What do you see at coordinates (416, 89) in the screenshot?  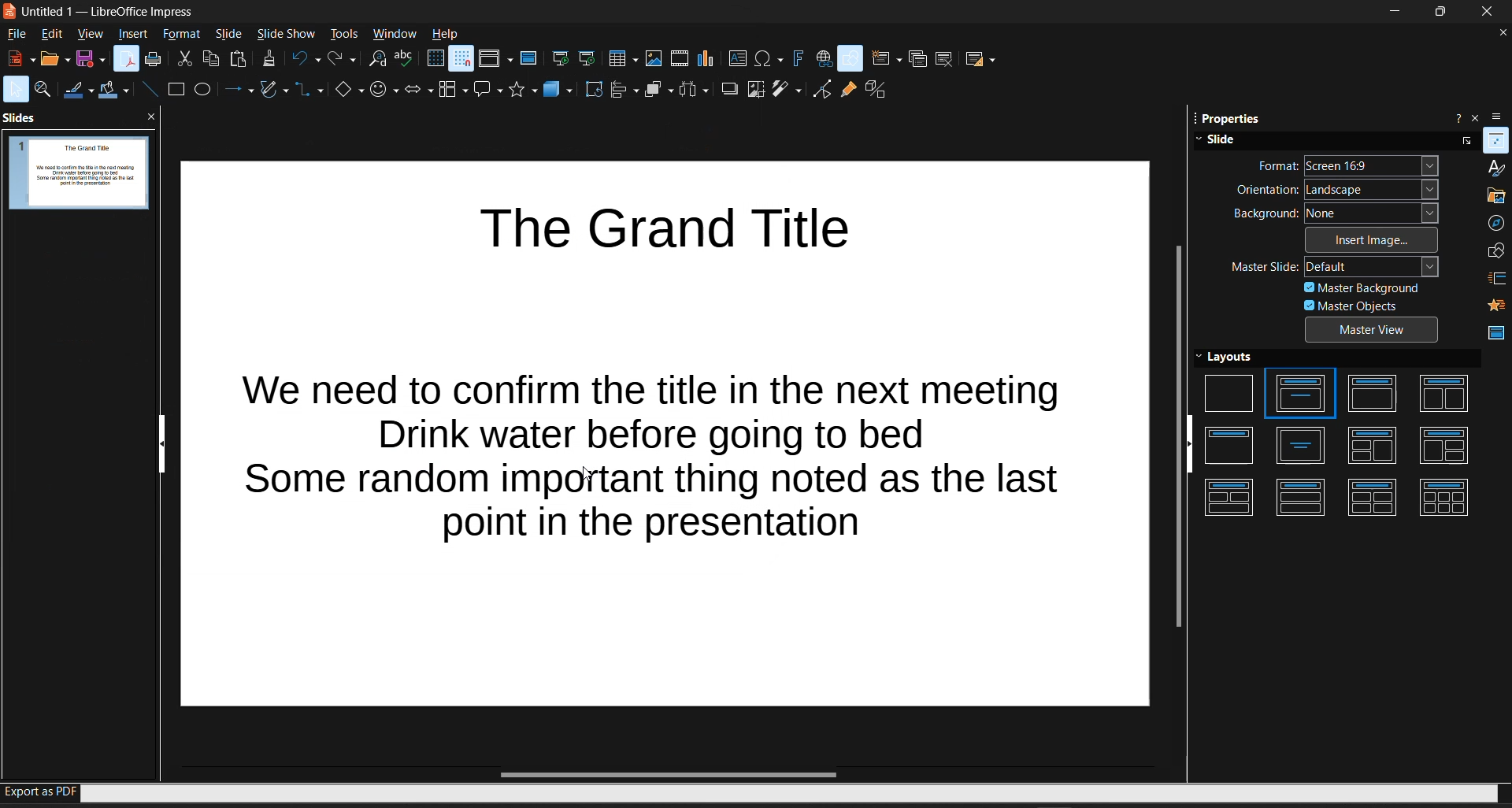 I see `block arrows` at bounding box center [416, 89].